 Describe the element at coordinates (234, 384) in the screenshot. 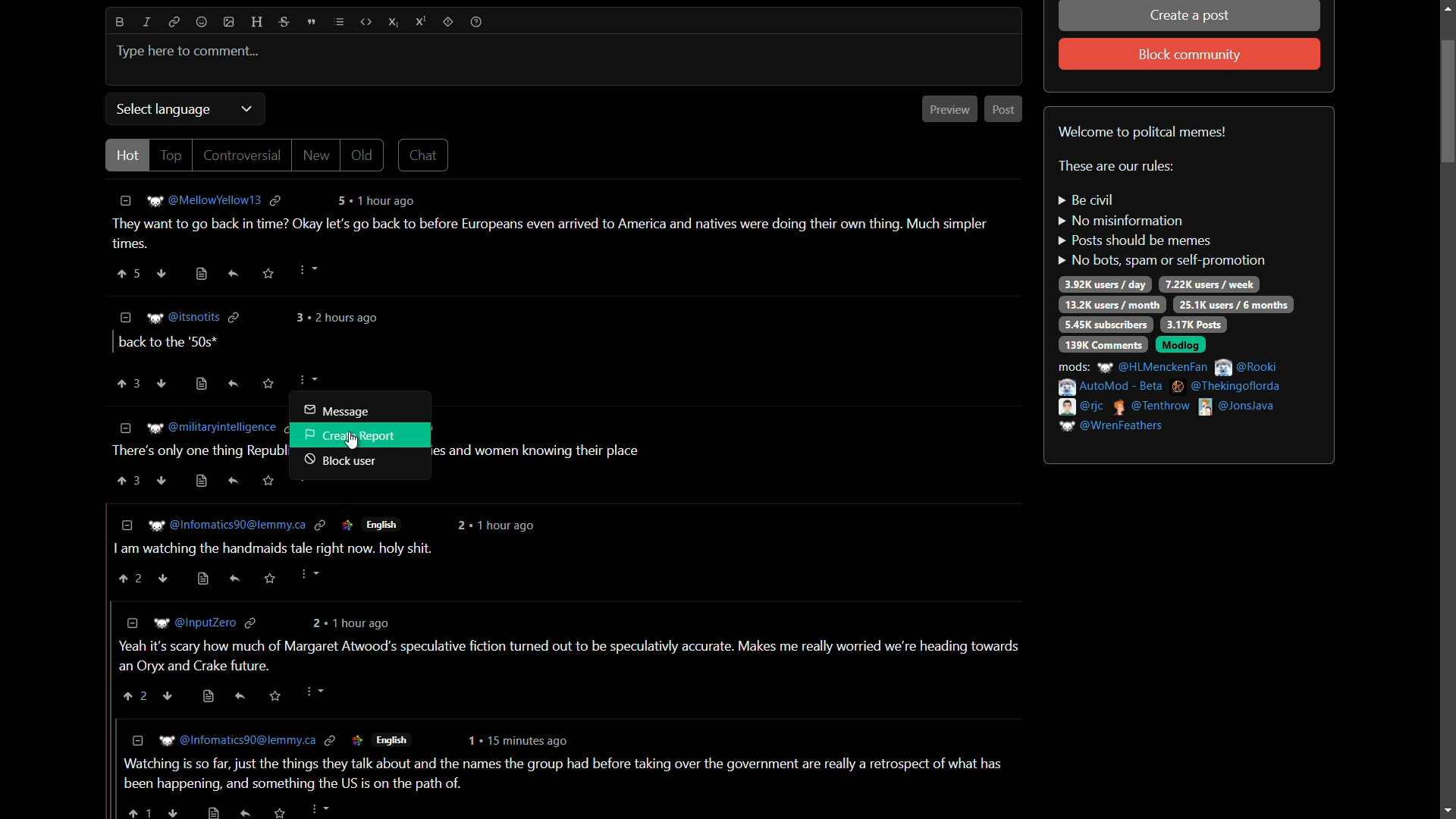

I see `reply` at that location.